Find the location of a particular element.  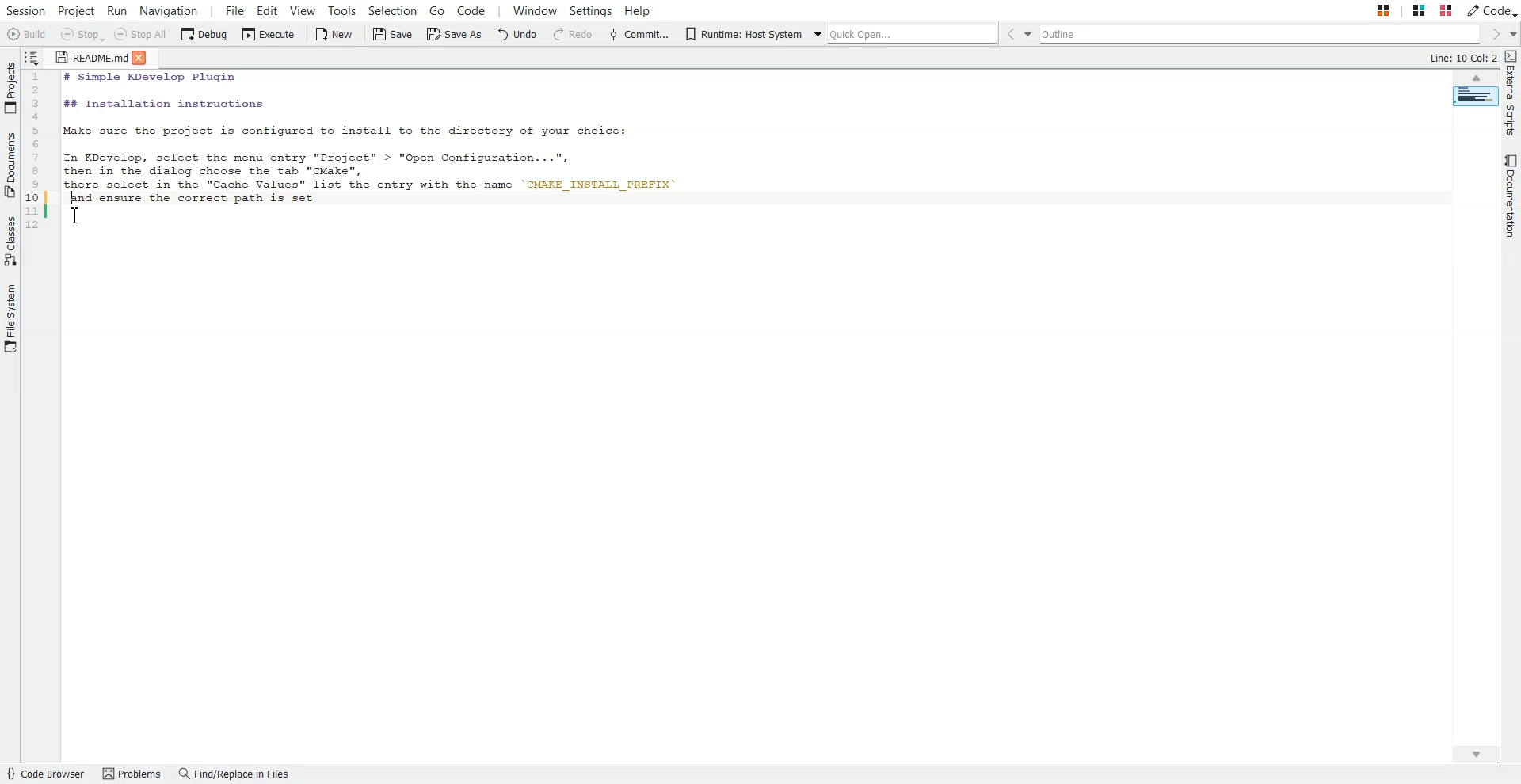

In KDevelop, select the menu entry "Project" > "Open Configuation . ..", is located at coordinates (318, 154).